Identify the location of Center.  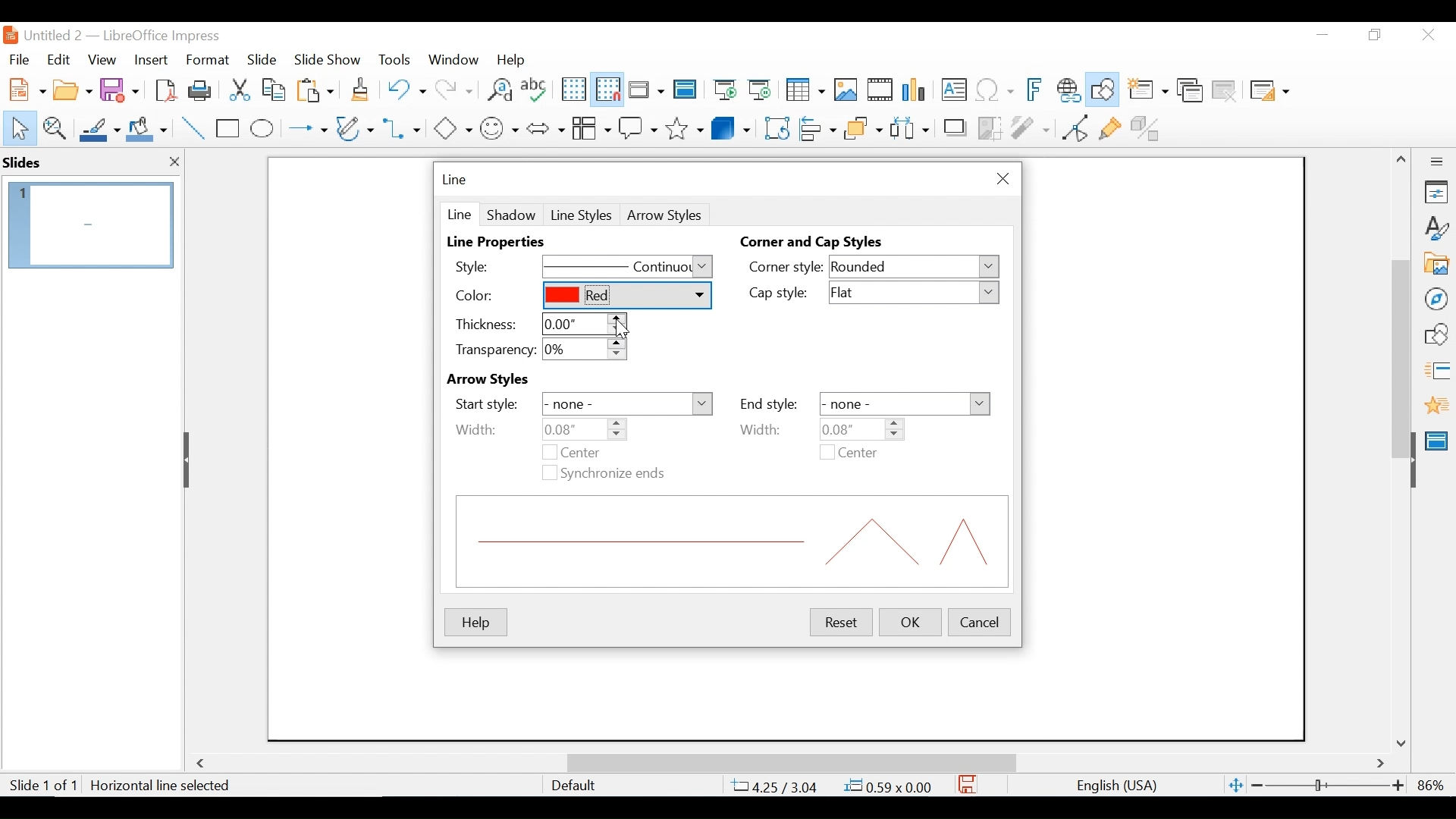
(595, 452).